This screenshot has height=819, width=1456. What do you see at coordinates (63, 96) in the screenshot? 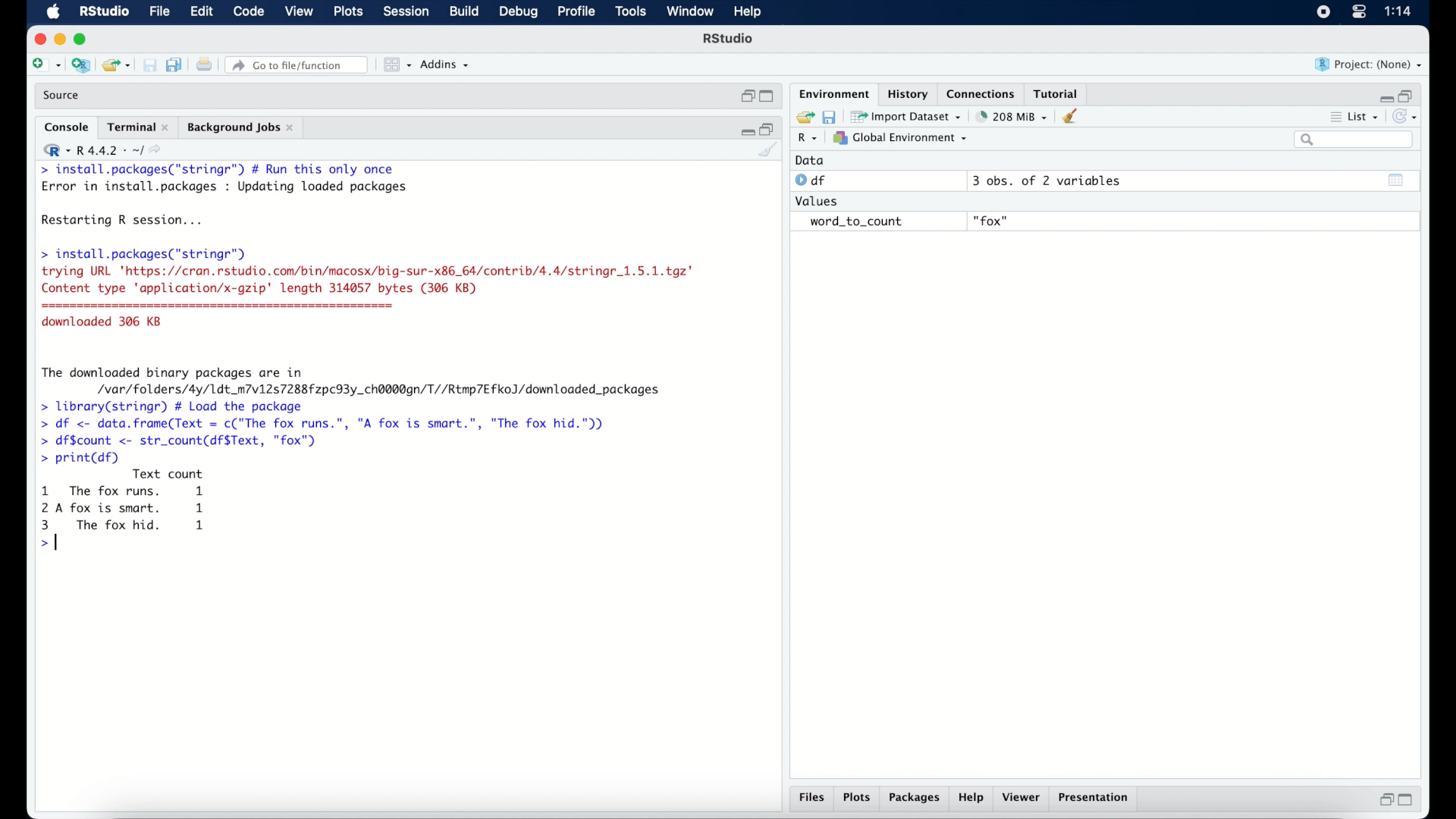
I see `source` at bounding box center [63, 96].